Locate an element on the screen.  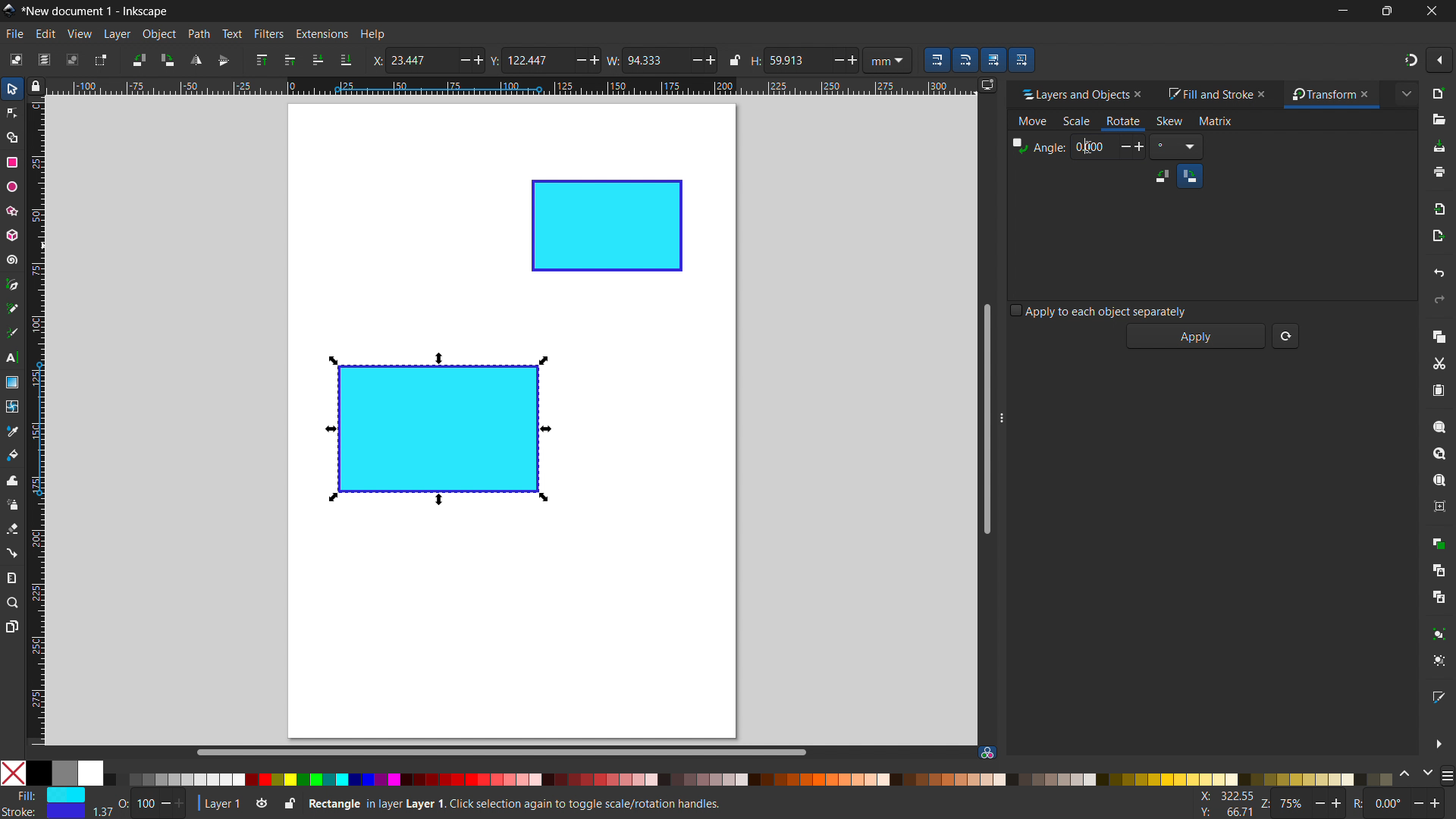
text is located at coordinates (231, 33).